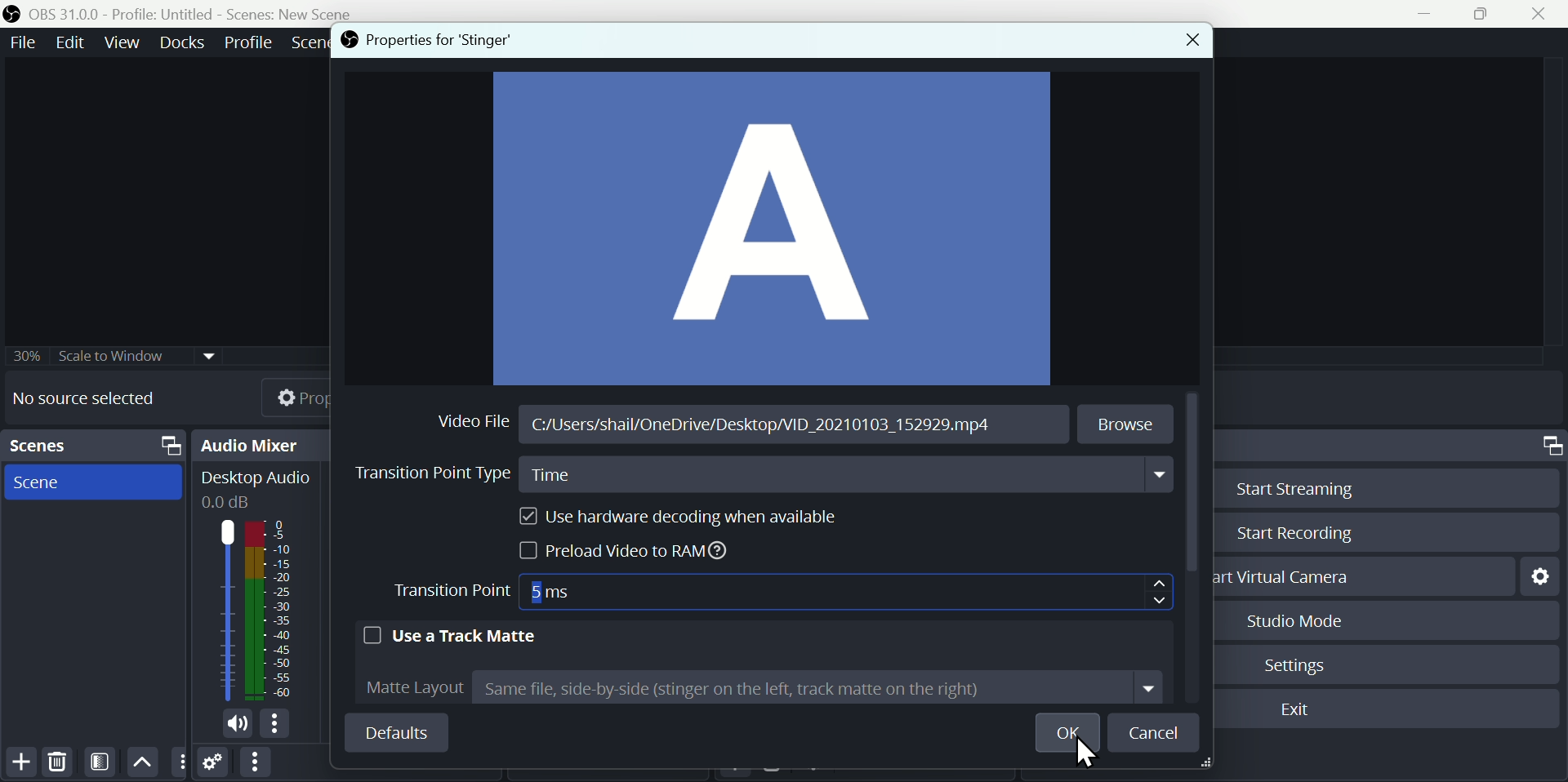  Describe the element at coordinates (395, 732) in the screenshot. I see `Default` at that location.